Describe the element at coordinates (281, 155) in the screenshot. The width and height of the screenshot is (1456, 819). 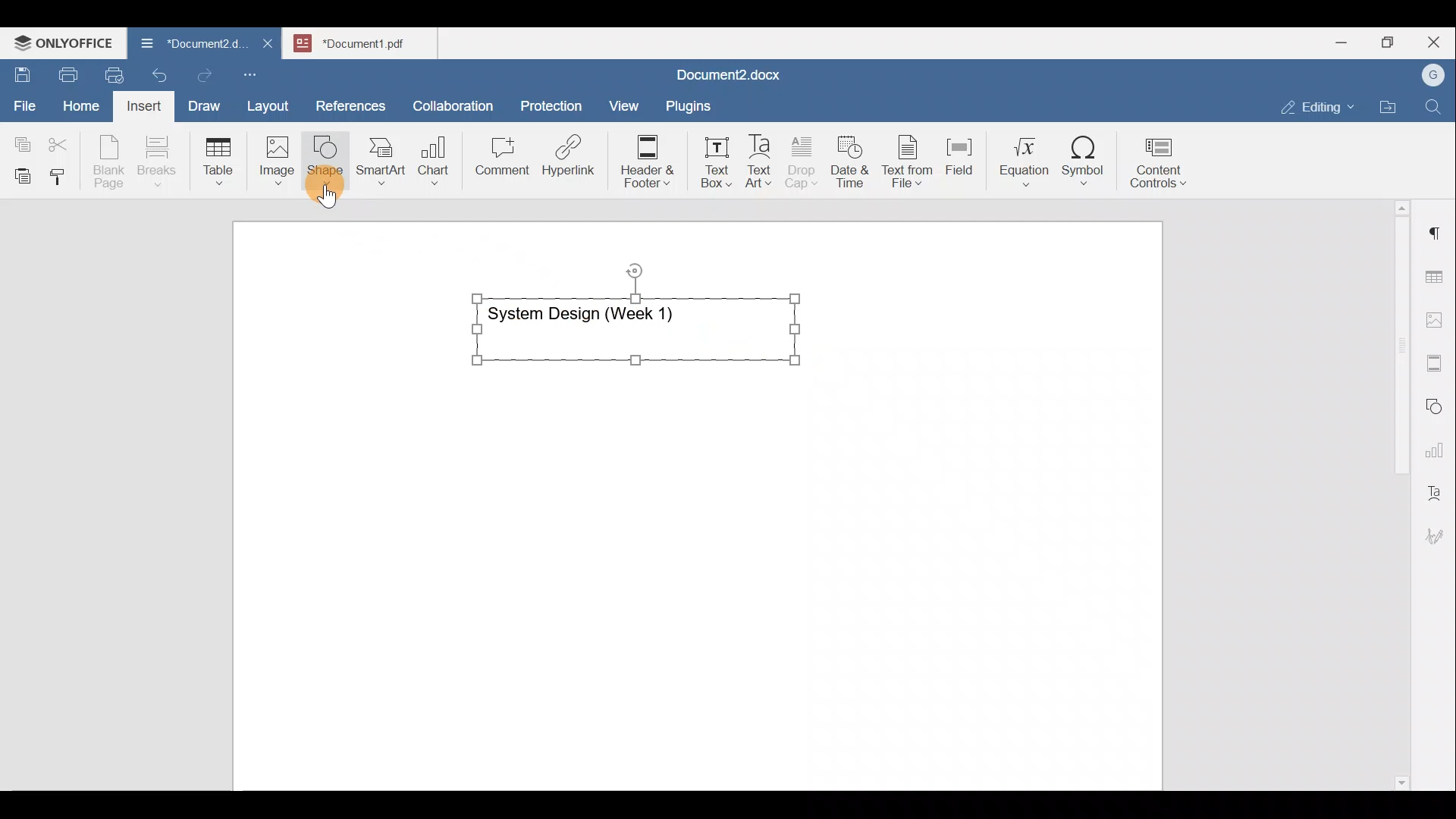
I see `Image` at that location.